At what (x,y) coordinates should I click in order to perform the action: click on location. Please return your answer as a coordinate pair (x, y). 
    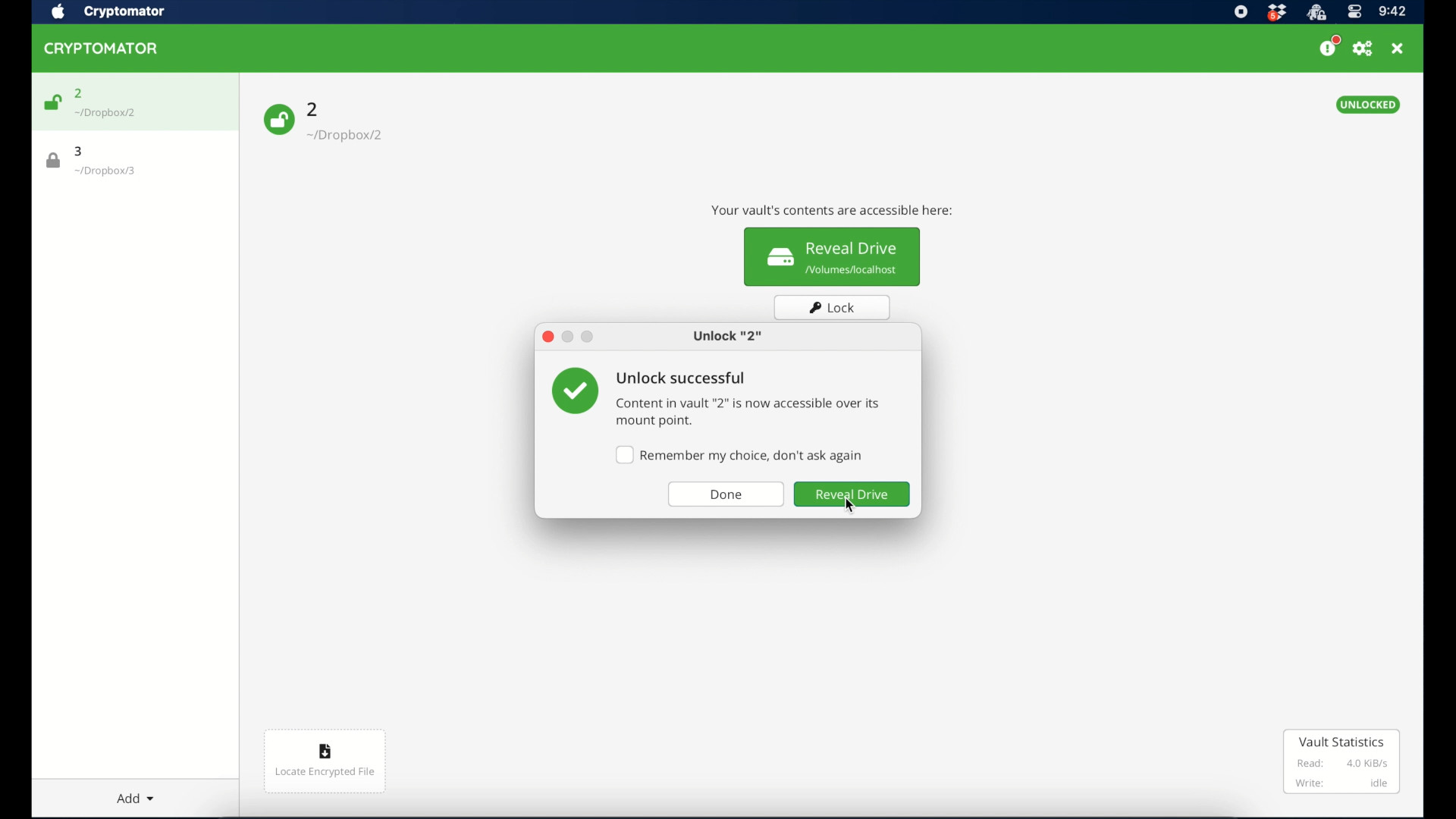
    Looking at the image, I should click on (105, 171).